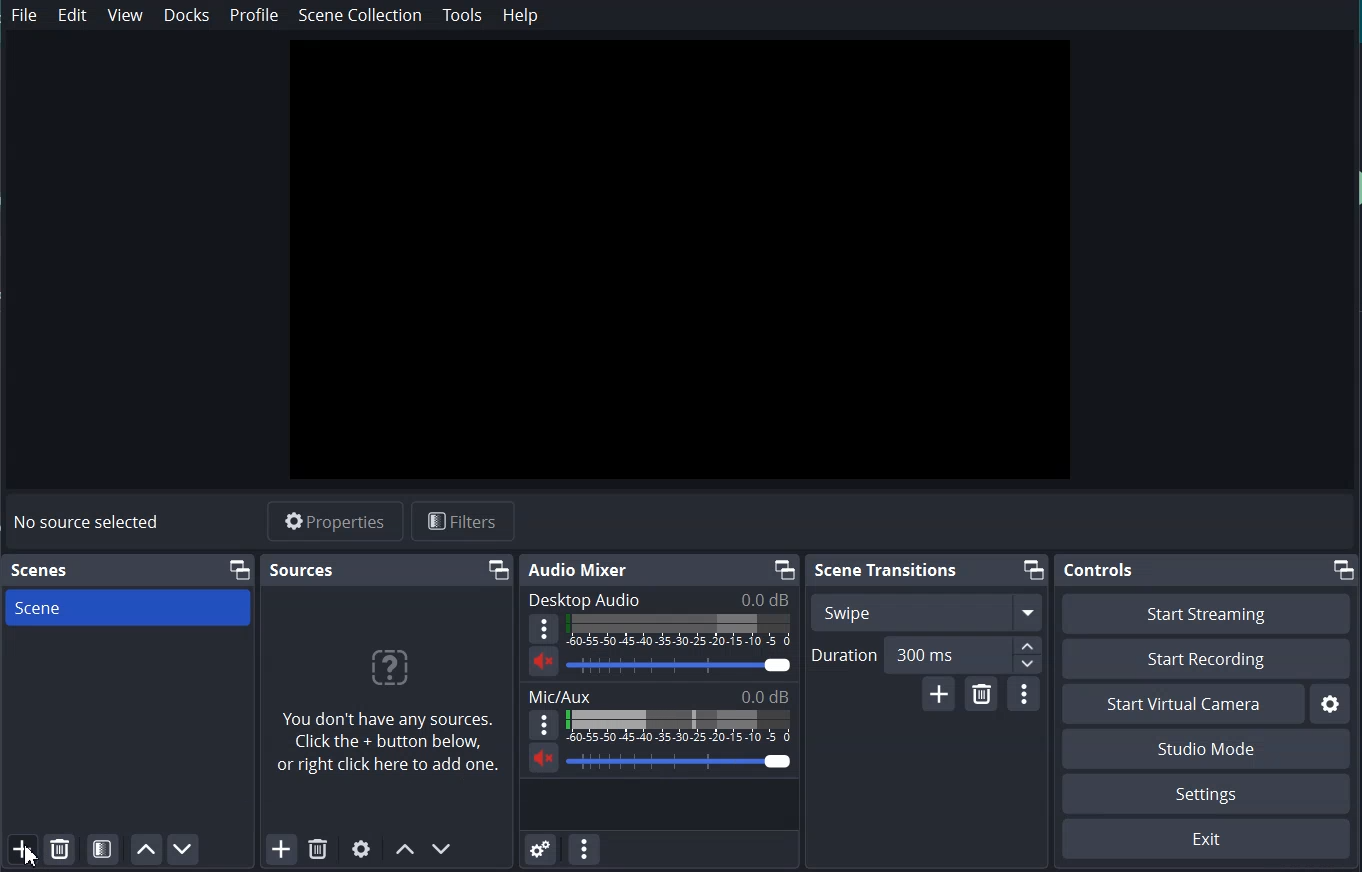 This screenshot has height=872, width=1362. Describe the element at coordinates (146, 849) in the screenshot. I see `Move Scene Up` at that location.